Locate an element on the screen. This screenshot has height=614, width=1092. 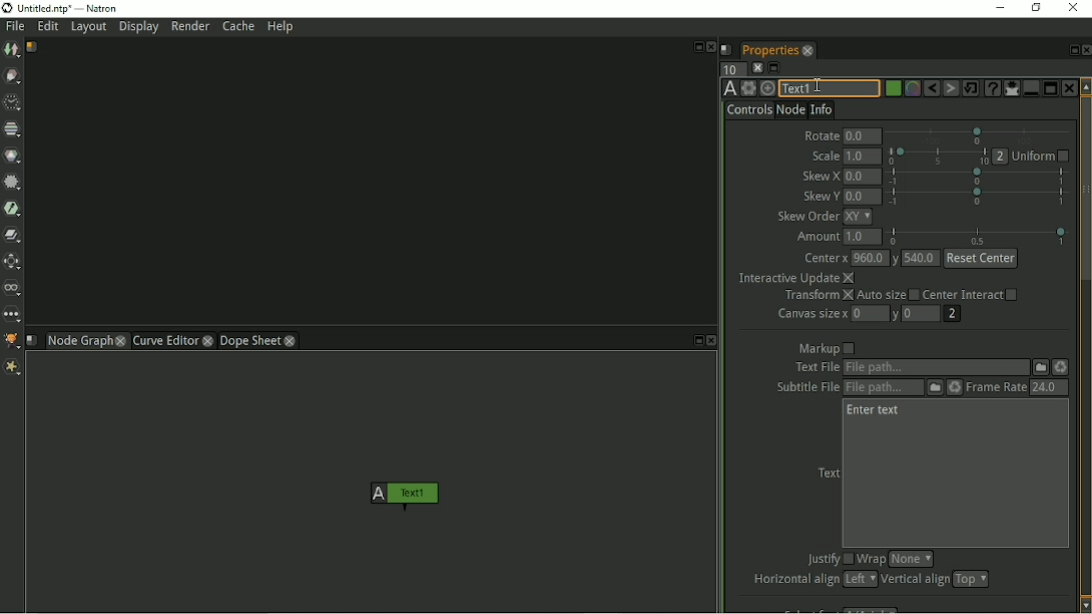
Render is located at coordinates (190, 26).